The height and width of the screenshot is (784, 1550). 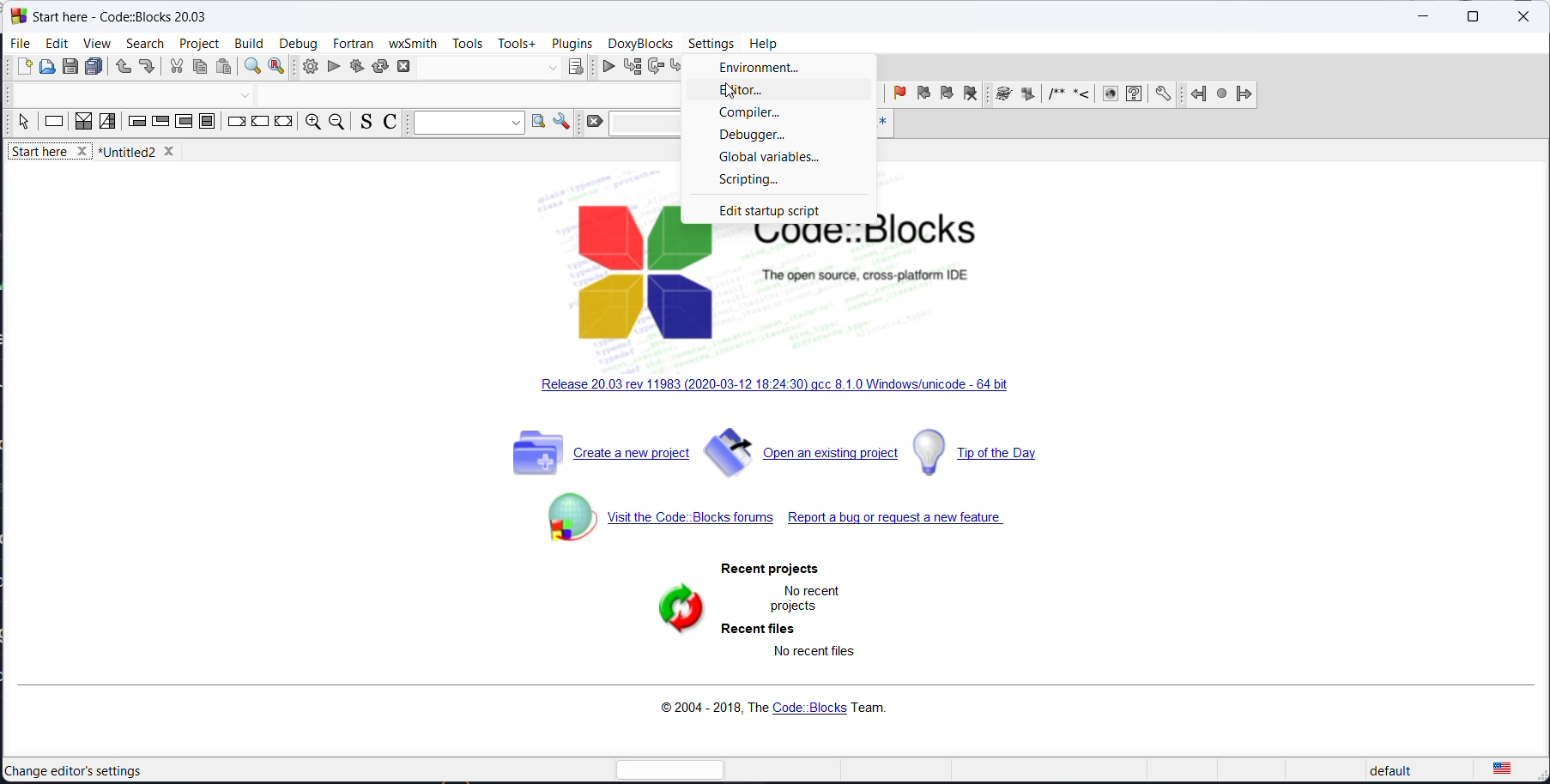 What do you see at coordinates (781, 388) in the screenshot?
I see `new release` at bounding box center [781, 388].